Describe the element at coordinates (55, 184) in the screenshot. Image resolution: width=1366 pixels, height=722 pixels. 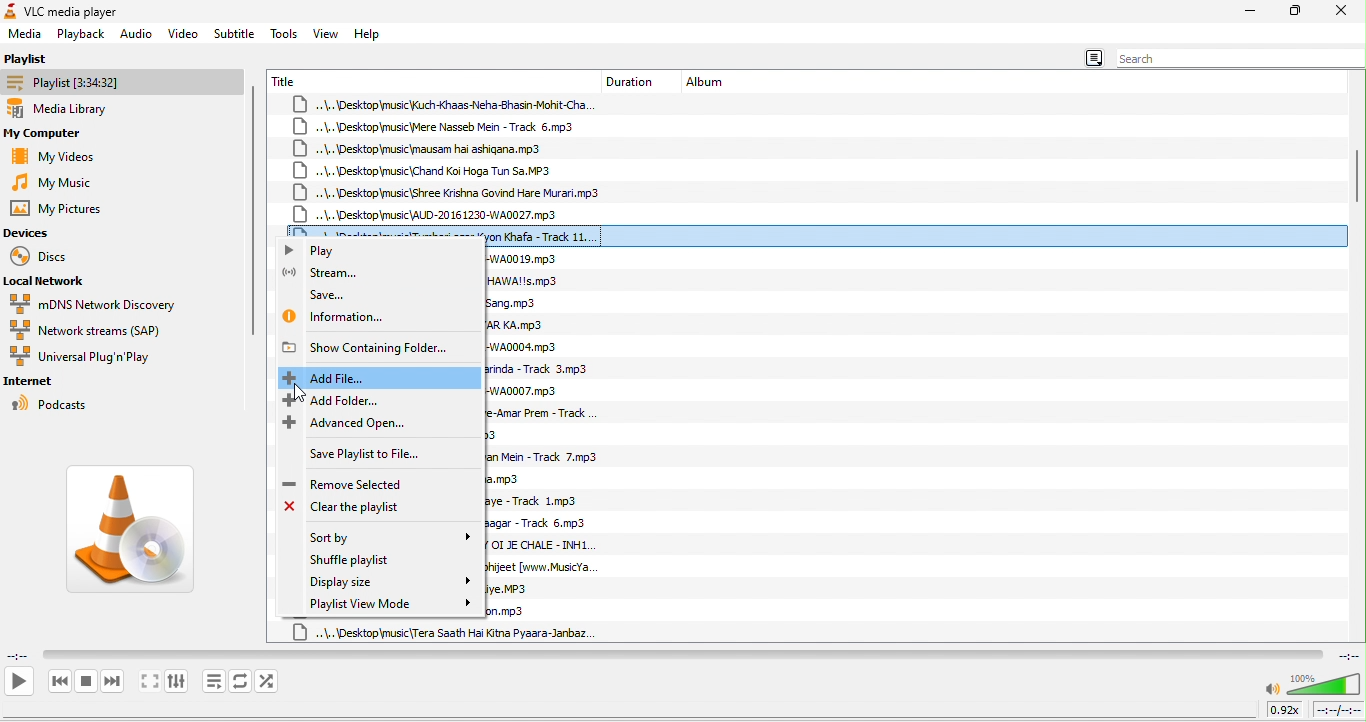
I see `my music` at that location.